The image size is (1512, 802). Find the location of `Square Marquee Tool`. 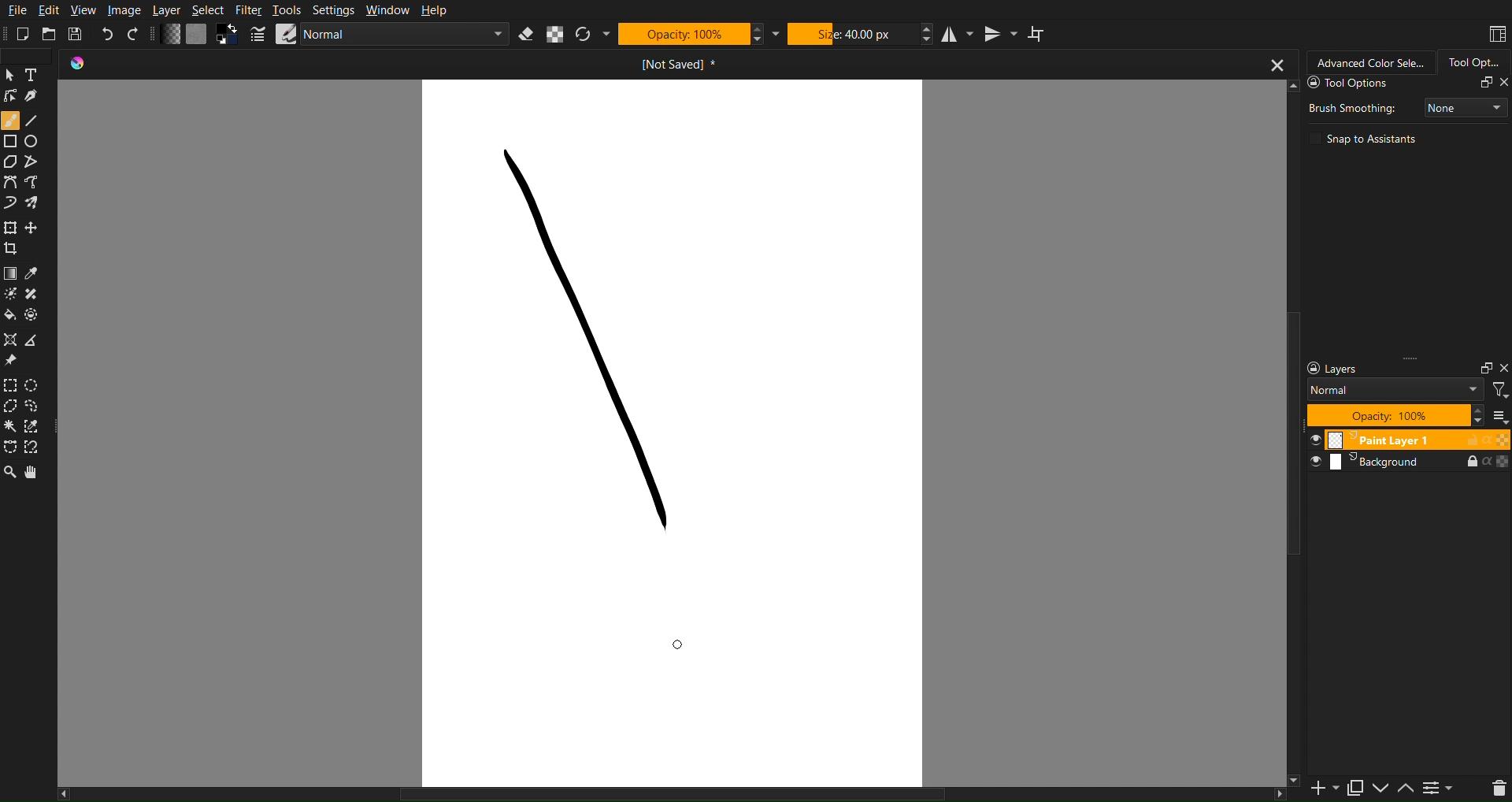

Square Marquee Tool is located at coordinates (13, 386).